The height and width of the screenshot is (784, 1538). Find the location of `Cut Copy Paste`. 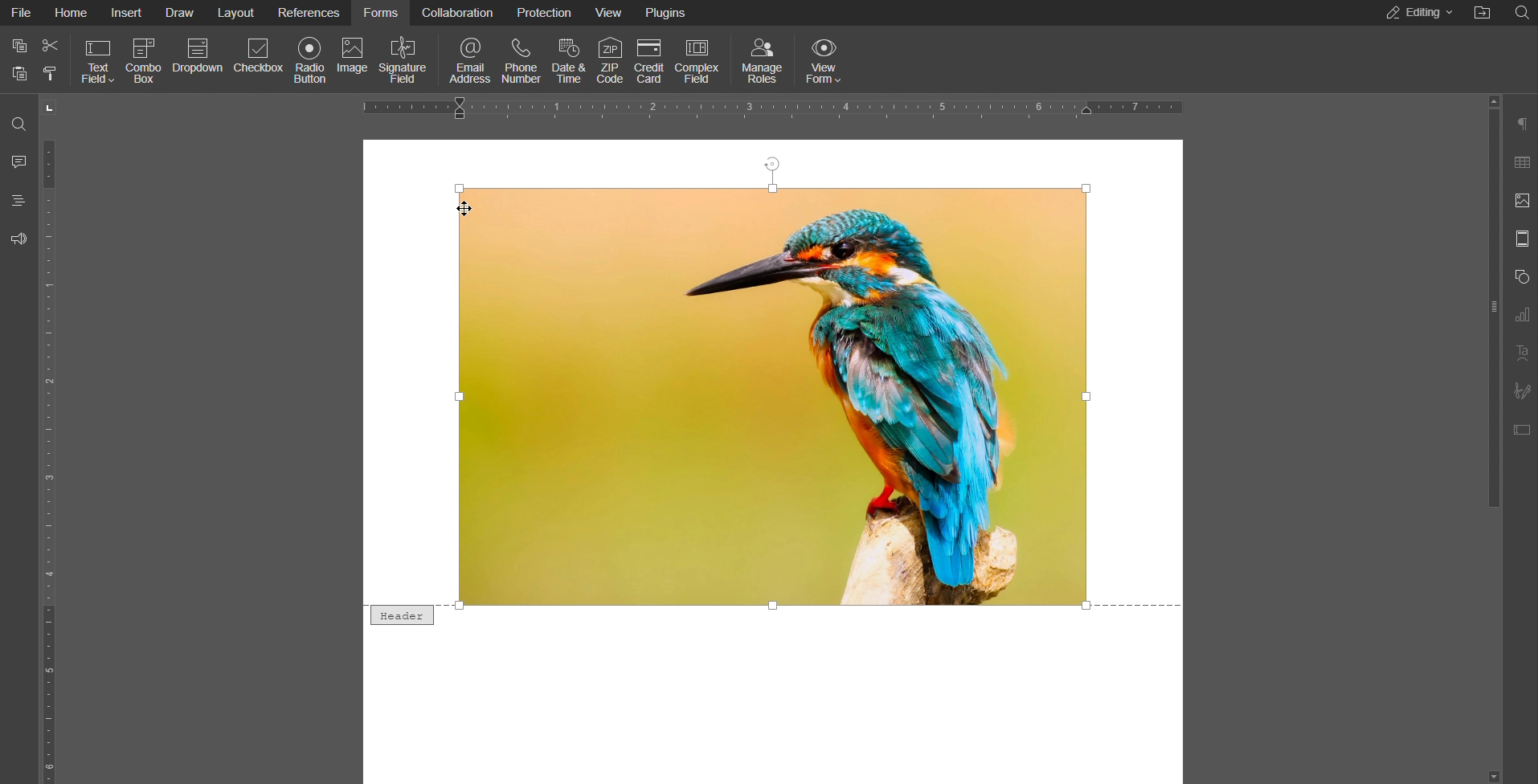

Cut Copy Paste is located at coordinates (35, 60).